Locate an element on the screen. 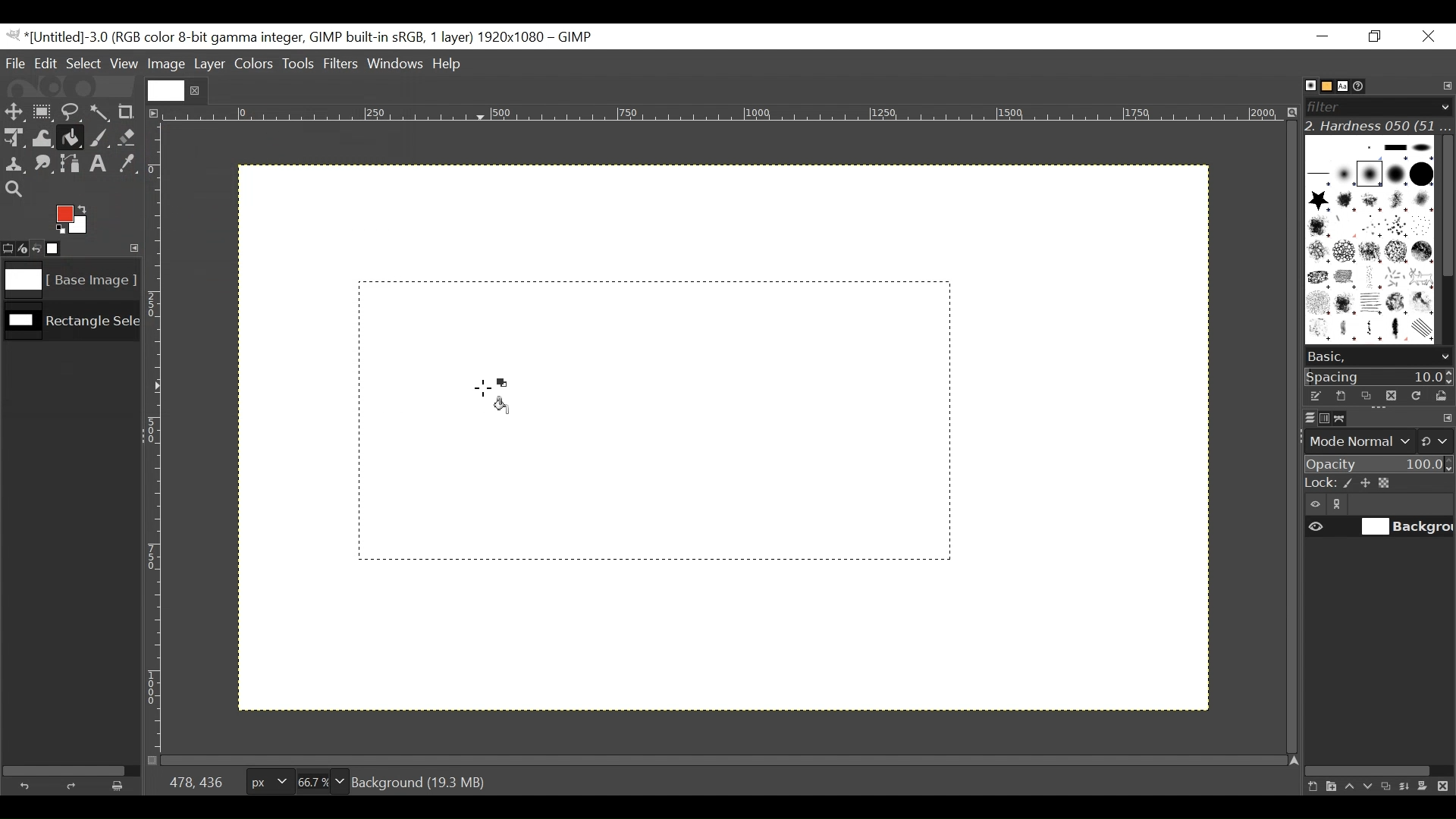 This screenshot has height=819, width=1456. Lower the layer is located at coordinates (1369, 785).